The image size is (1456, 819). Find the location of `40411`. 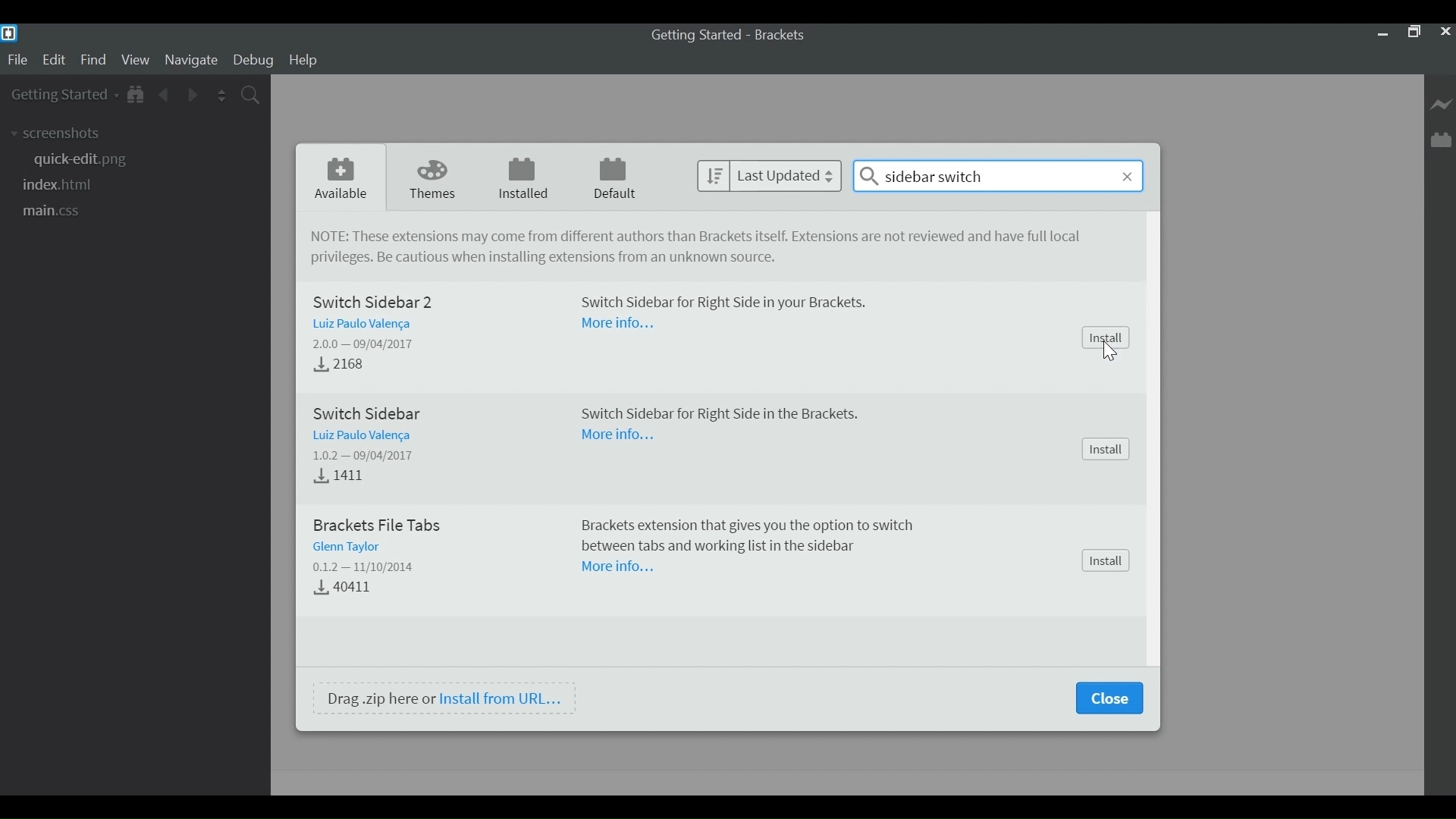

40411 is located at coordinates (347, 591).